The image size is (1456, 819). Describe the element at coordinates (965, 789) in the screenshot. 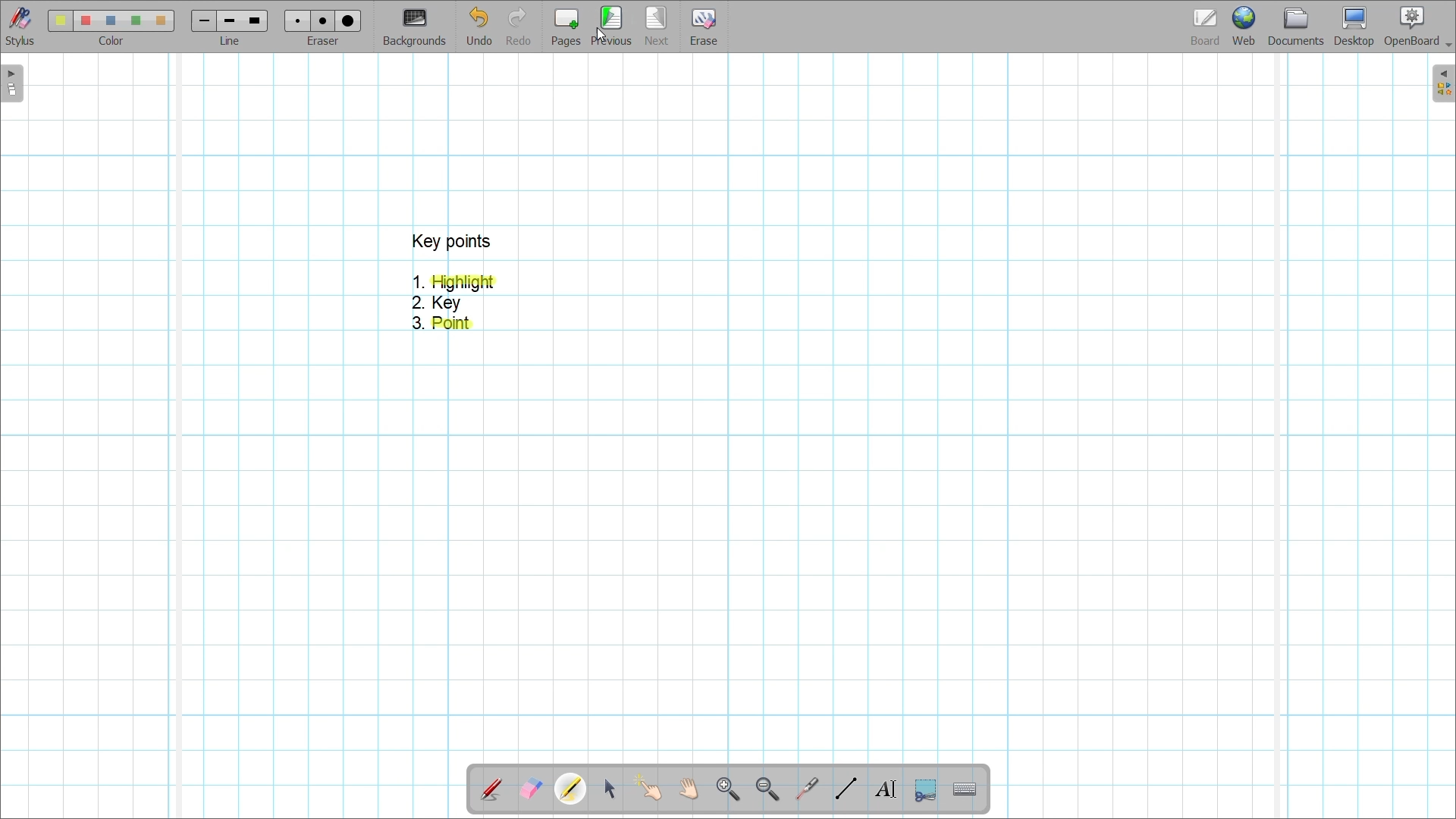

I see `Display virtual keyboard` at that location.